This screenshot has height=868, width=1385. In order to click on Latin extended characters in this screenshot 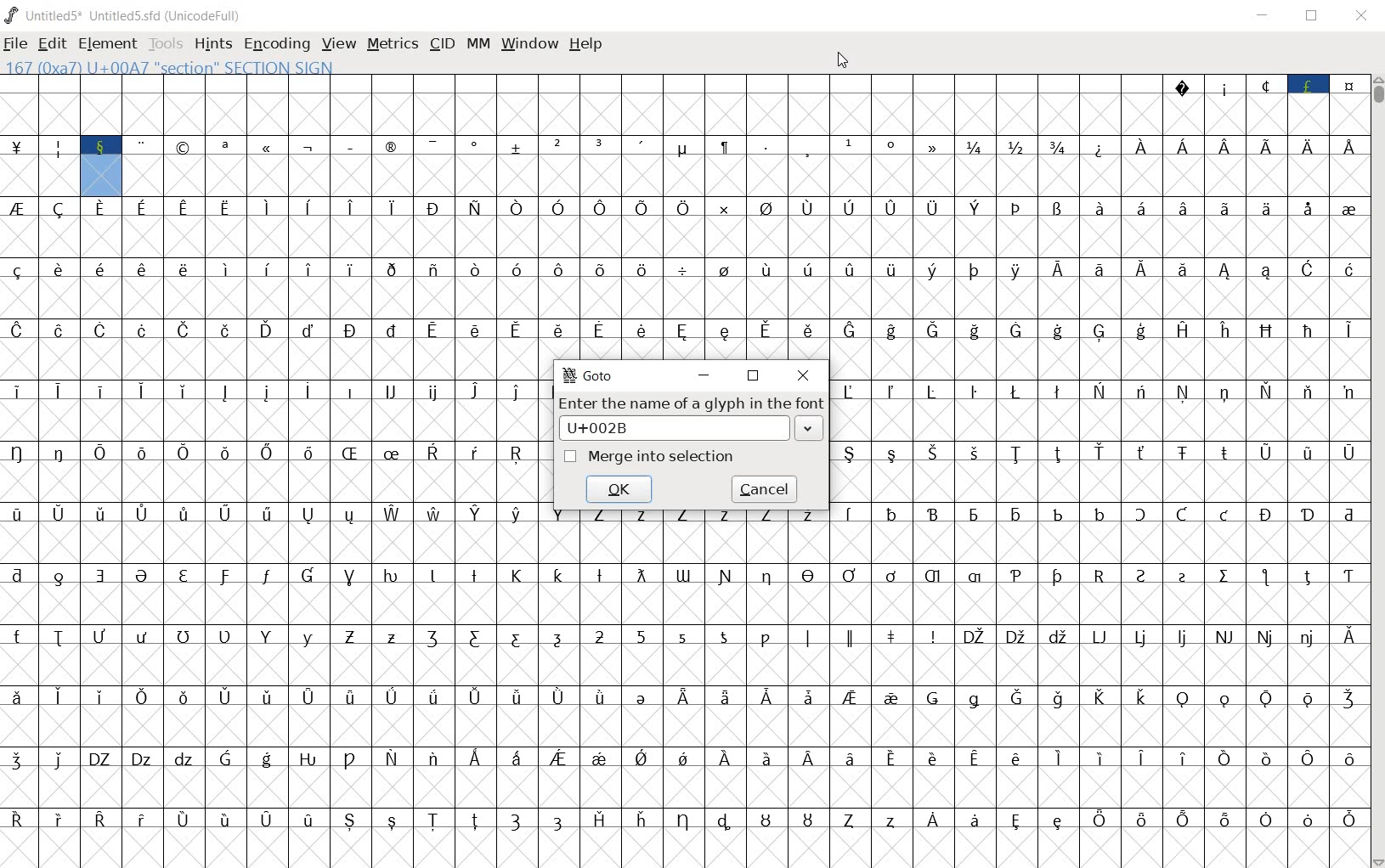, I will do `click(619, 339)`.